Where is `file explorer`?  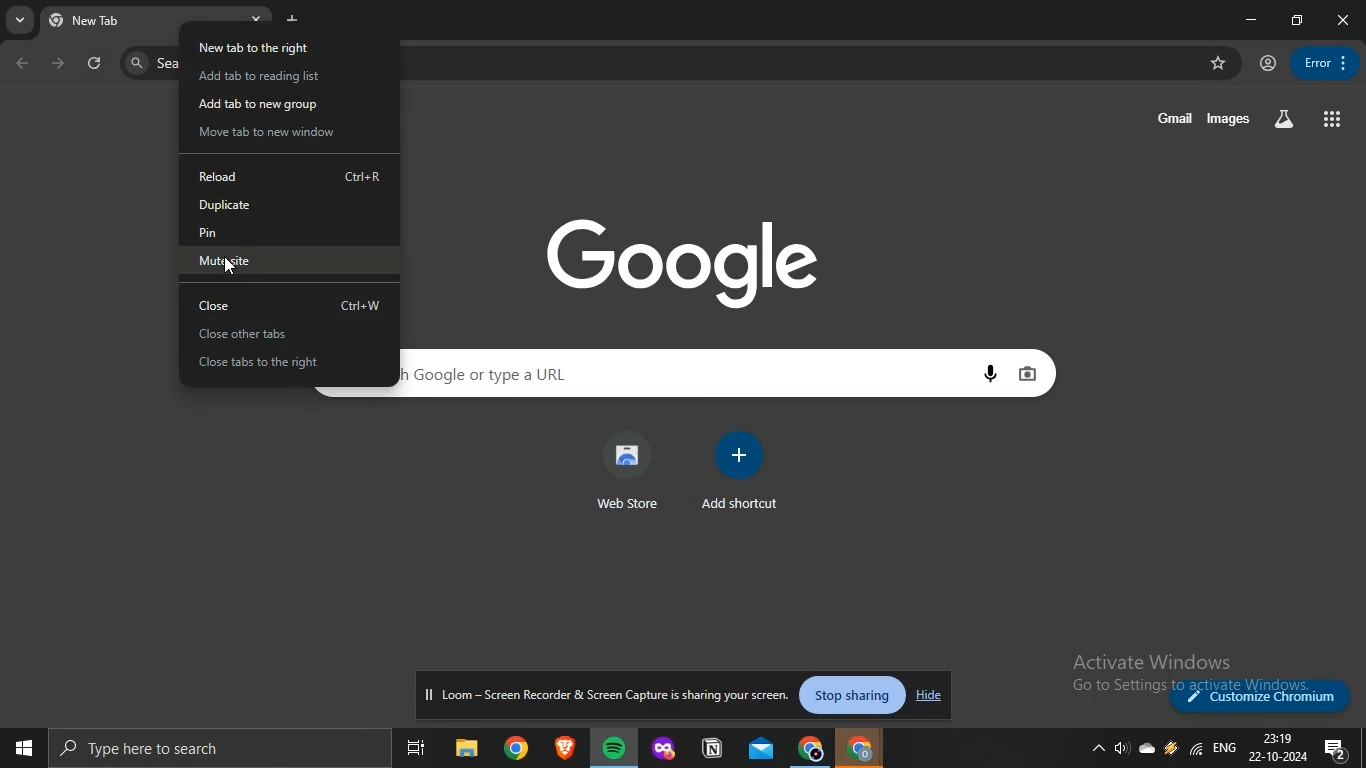
file explorer is located at coordinates (469, 746).